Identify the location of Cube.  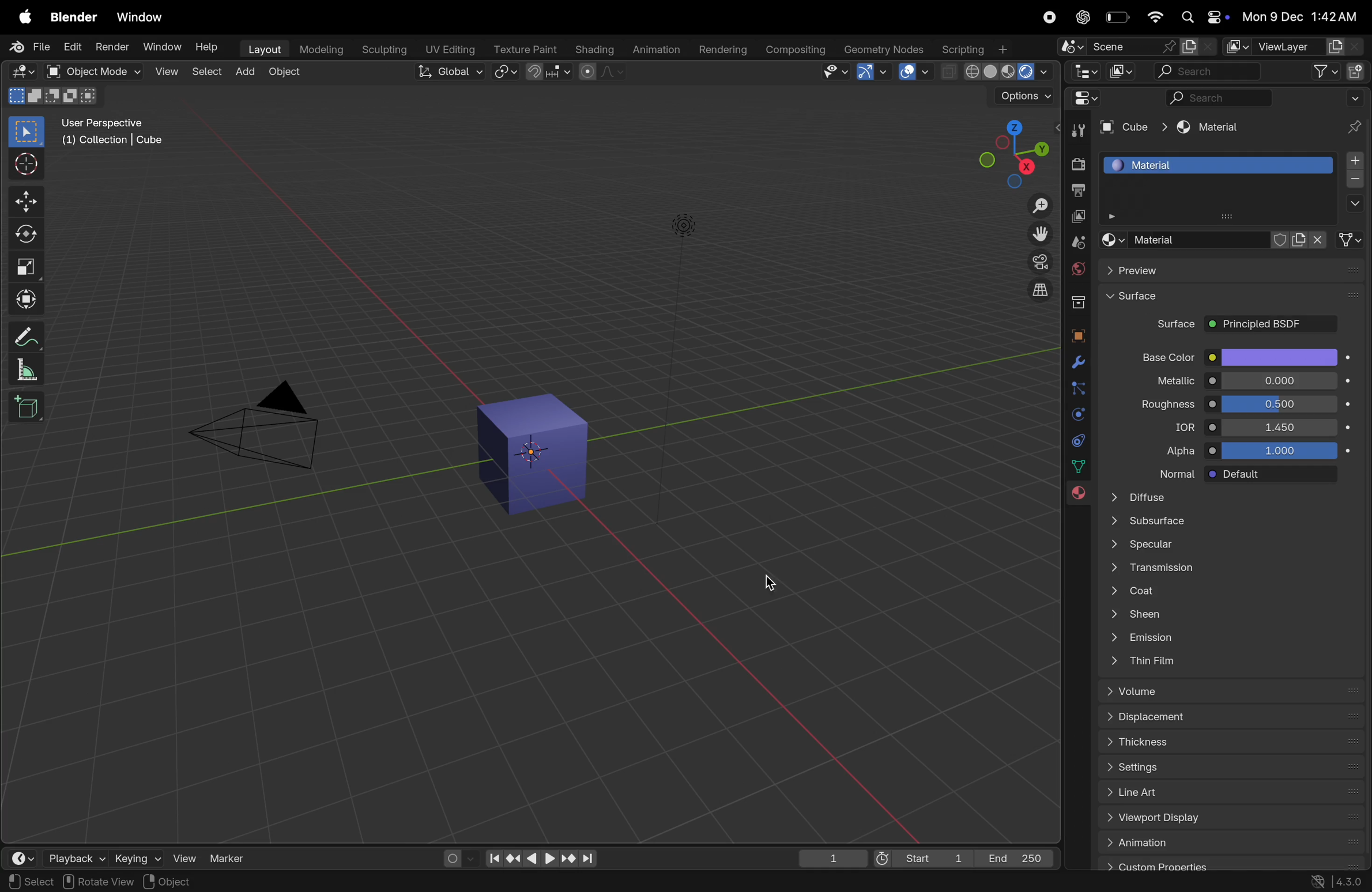
(1133, 128).